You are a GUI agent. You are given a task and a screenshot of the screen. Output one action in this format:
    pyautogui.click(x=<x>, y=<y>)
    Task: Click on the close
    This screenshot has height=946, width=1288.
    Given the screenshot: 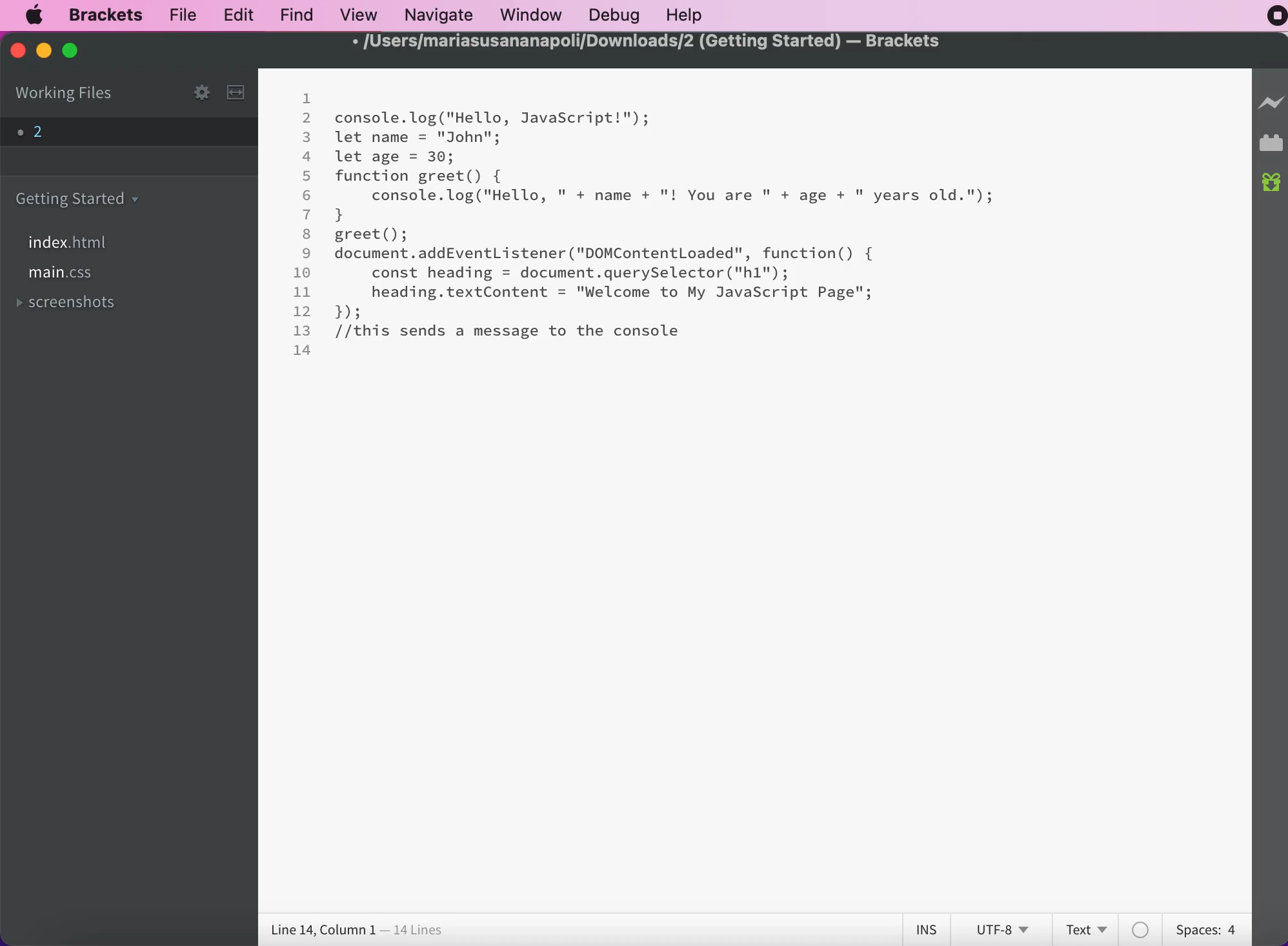 What is the action you would take?
    pyautogui.click(x=14, y=52)
    